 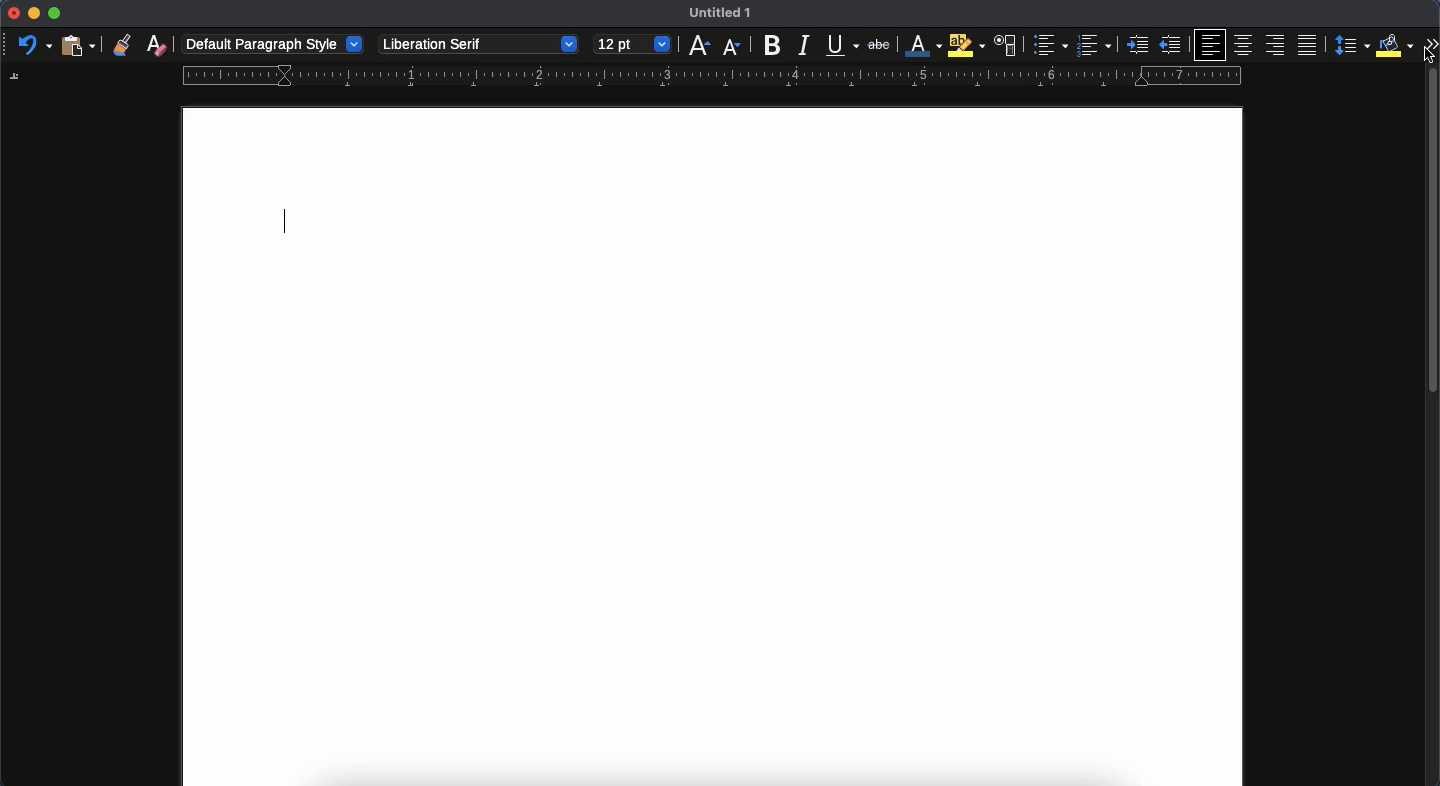 What do you see at coordinates (77, 47) in the screenshot?
I see `paste` at bounding box center [77, 47].